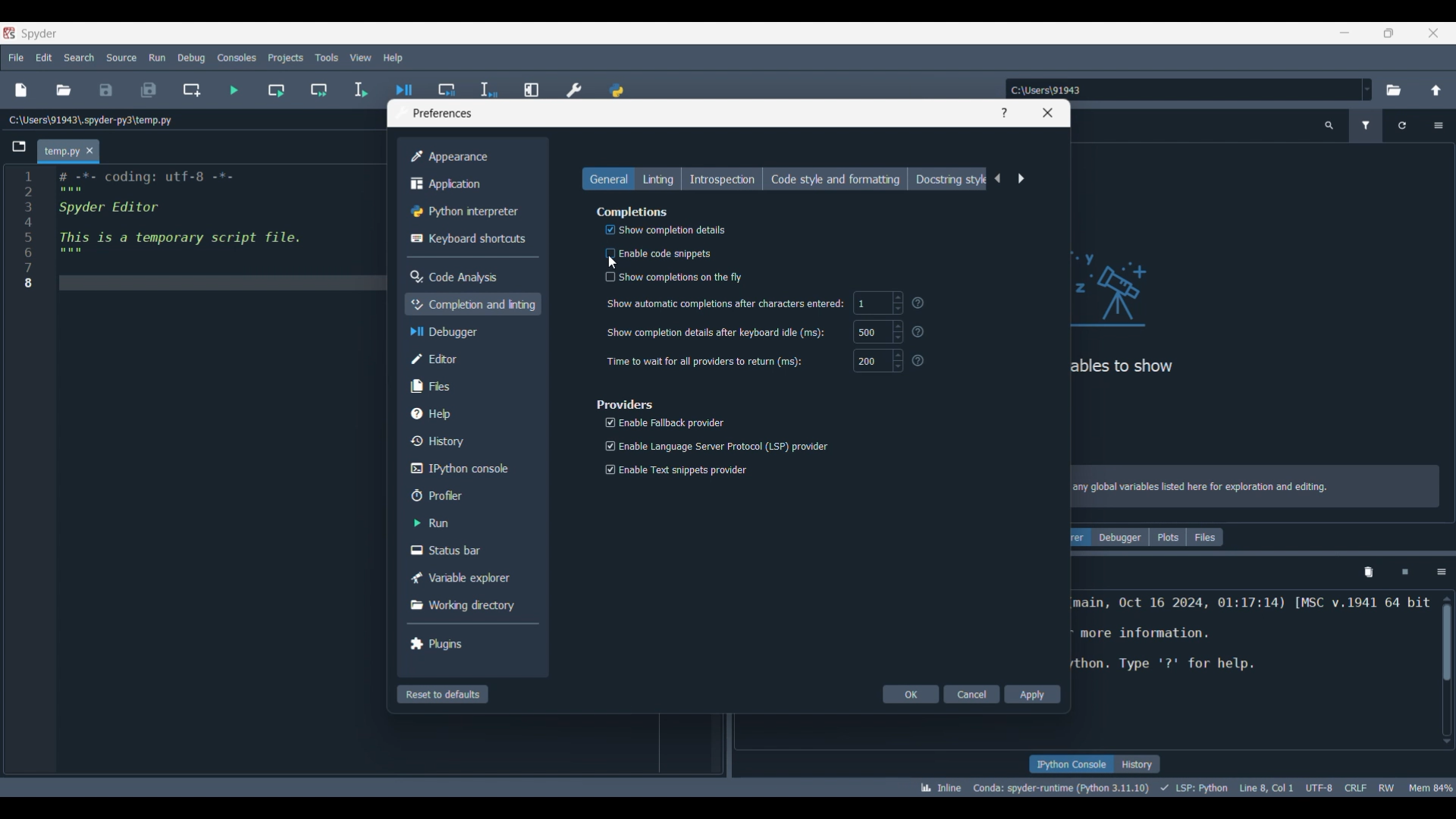 This screenshot has height=819, width=1456. What do you see at coordinates (1137, 764) in the screenshot?
I see `History` at bounding box center [1137, 764].